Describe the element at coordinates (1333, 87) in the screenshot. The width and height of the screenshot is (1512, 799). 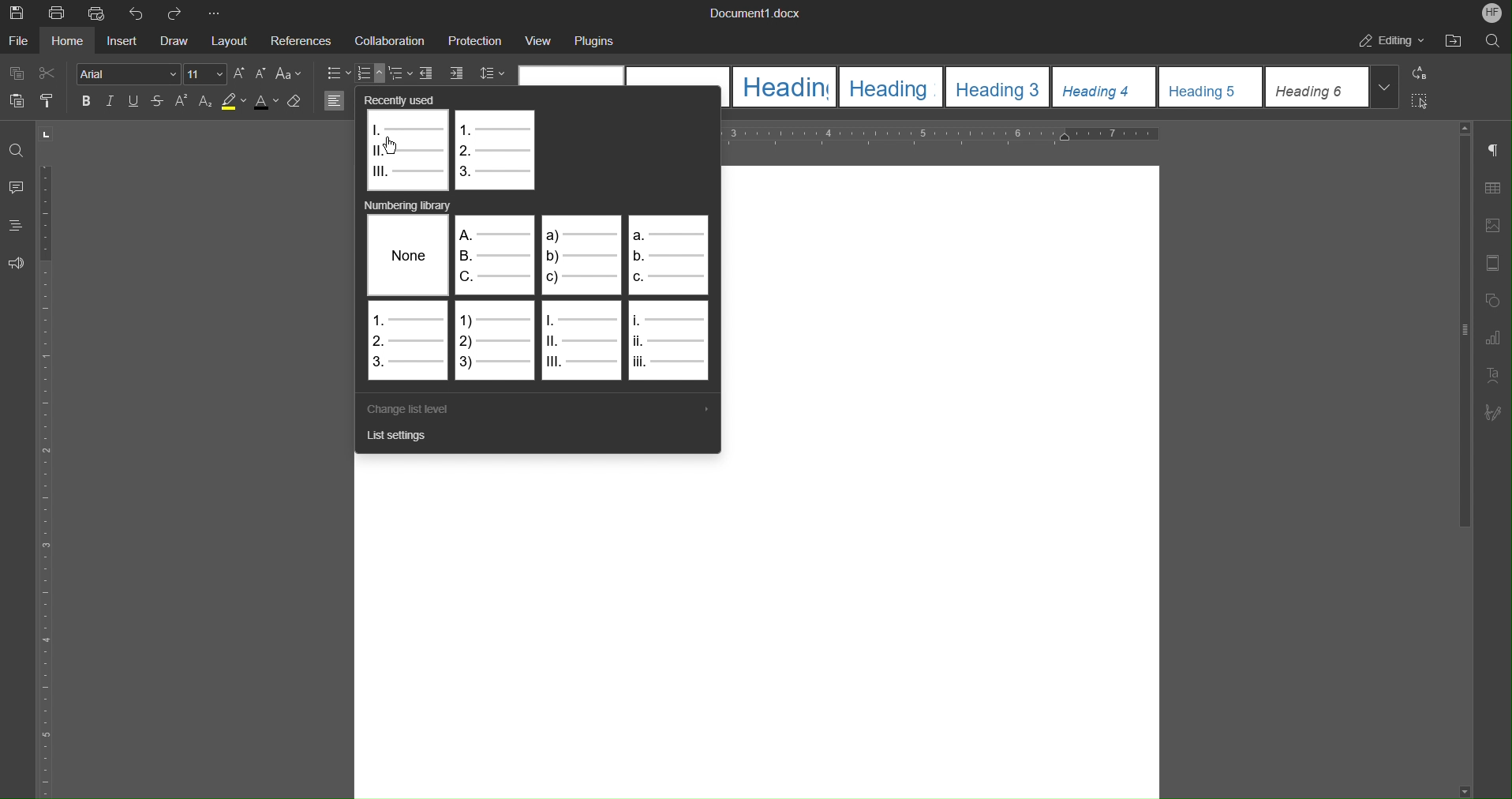
I see `Heading 6` at that location.